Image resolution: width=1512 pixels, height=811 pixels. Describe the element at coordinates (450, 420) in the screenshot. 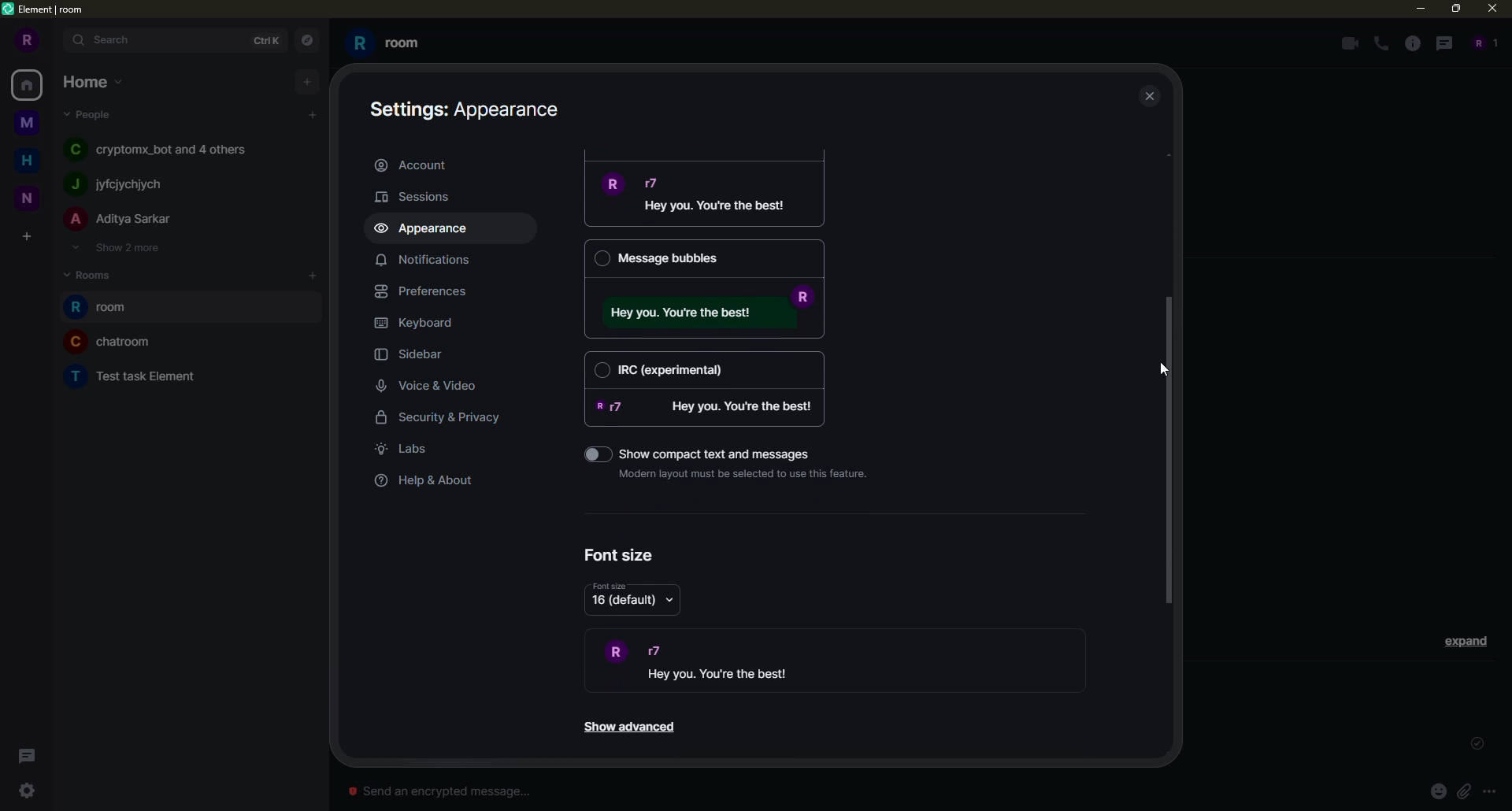

I see `security & privacy` at that location.